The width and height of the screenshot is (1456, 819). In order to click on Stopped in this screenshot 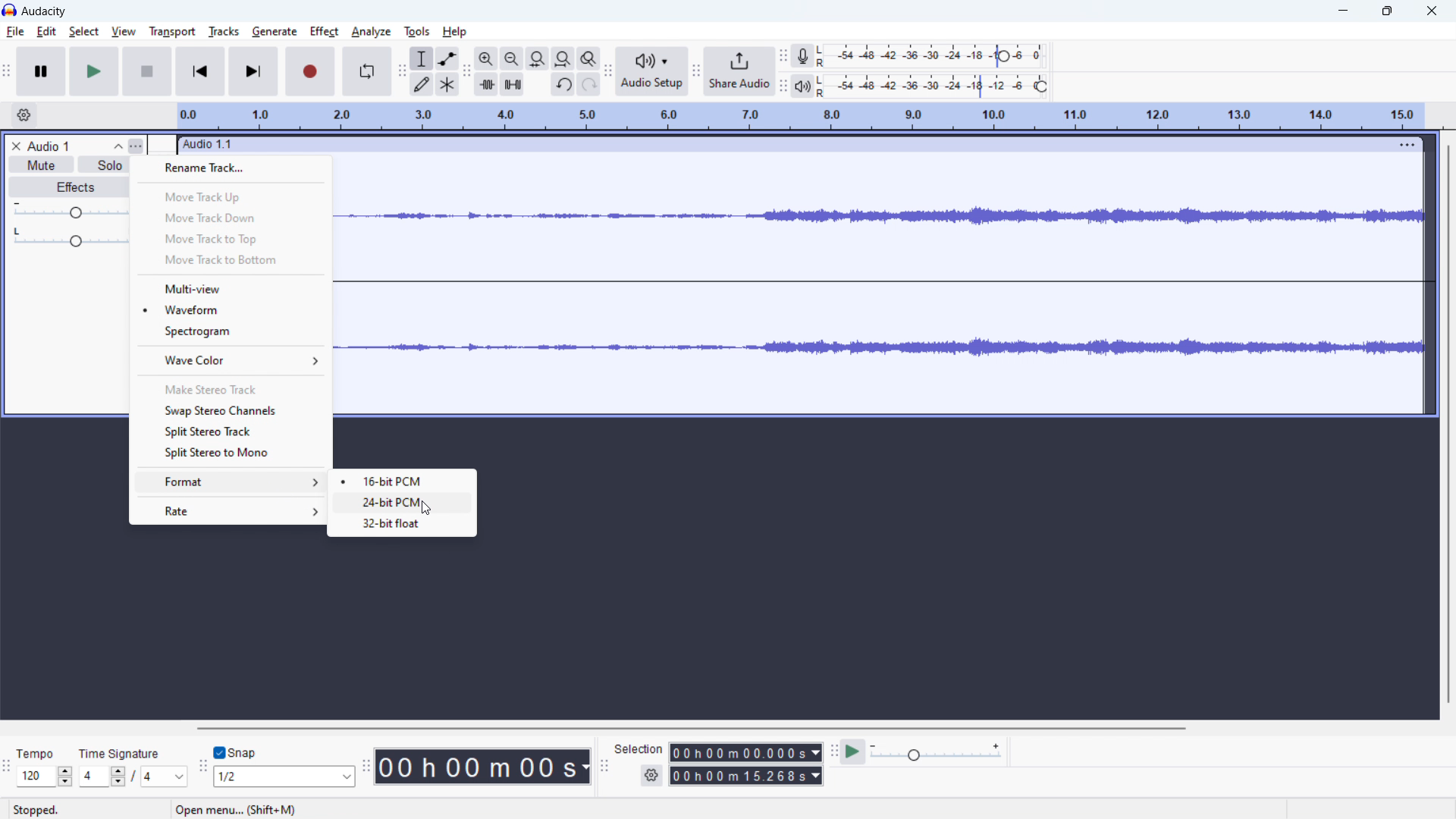, I will do `click(49, 810)`.